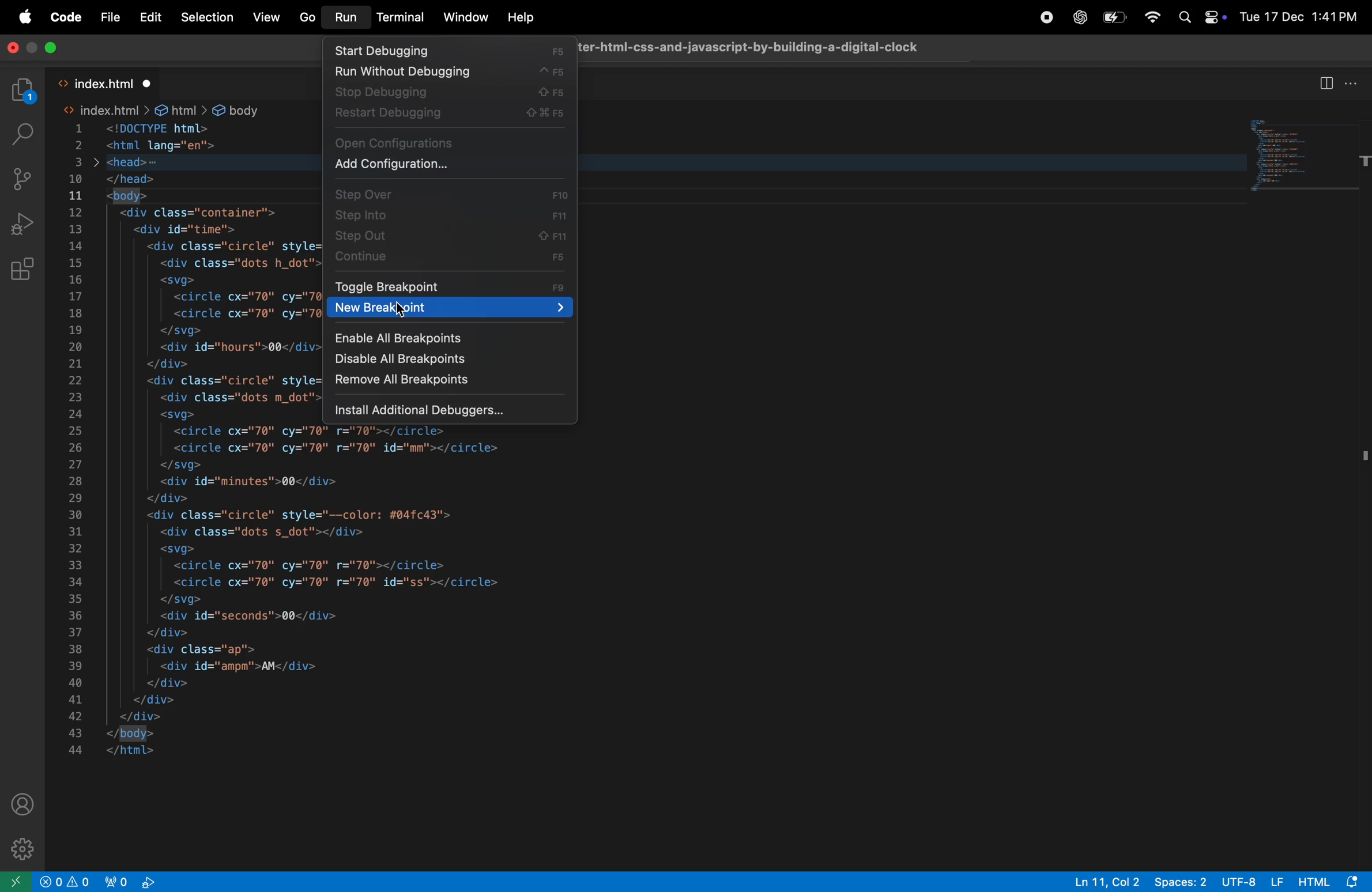 The image size is (1372, 892). What do you see at coordinates (25, 177) in the screenshot?
I see `source control` at bounding box center [25, 177].